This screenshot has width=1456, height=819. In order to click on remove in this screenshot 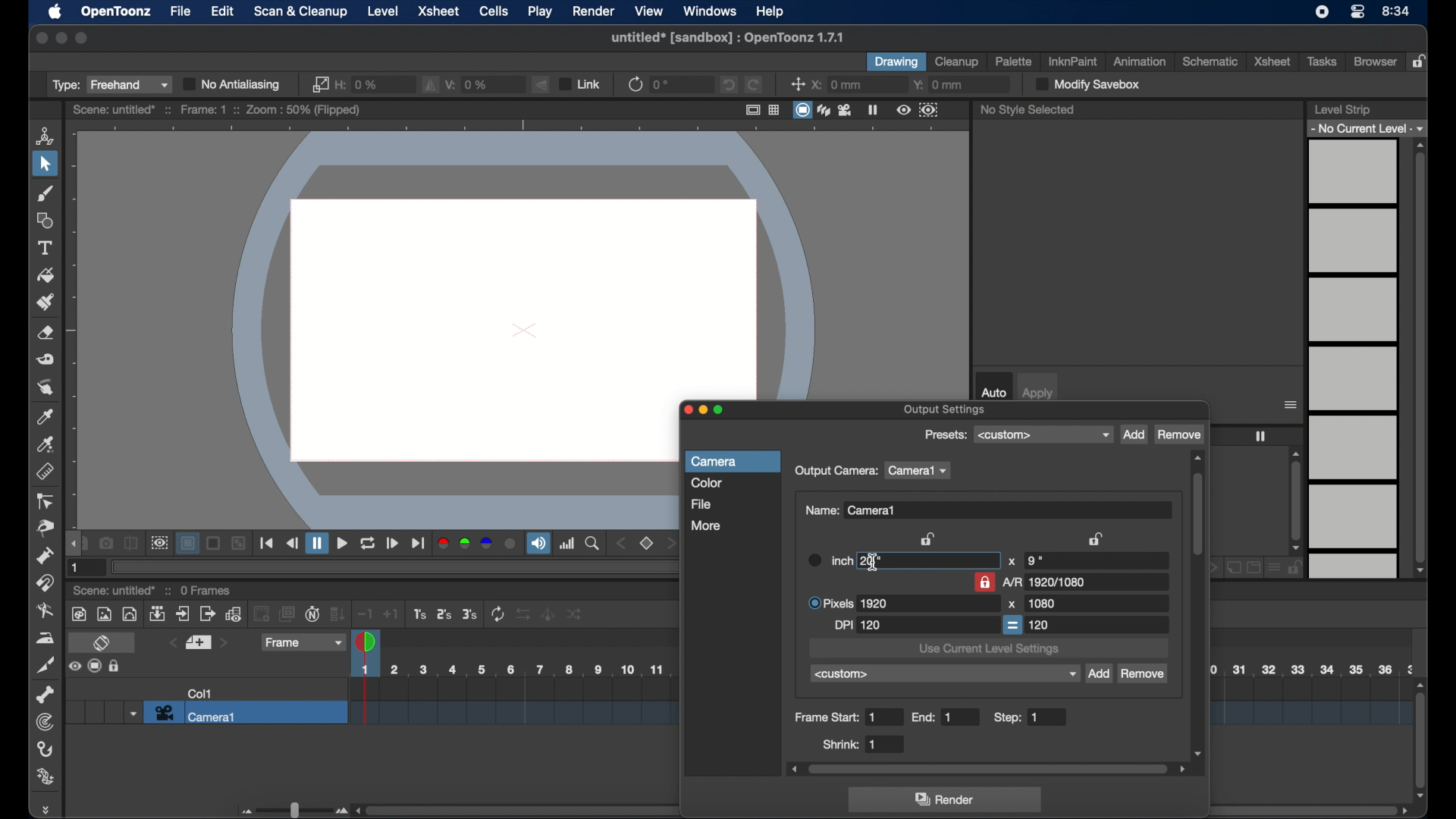, I will do `click(1179, 435)`.